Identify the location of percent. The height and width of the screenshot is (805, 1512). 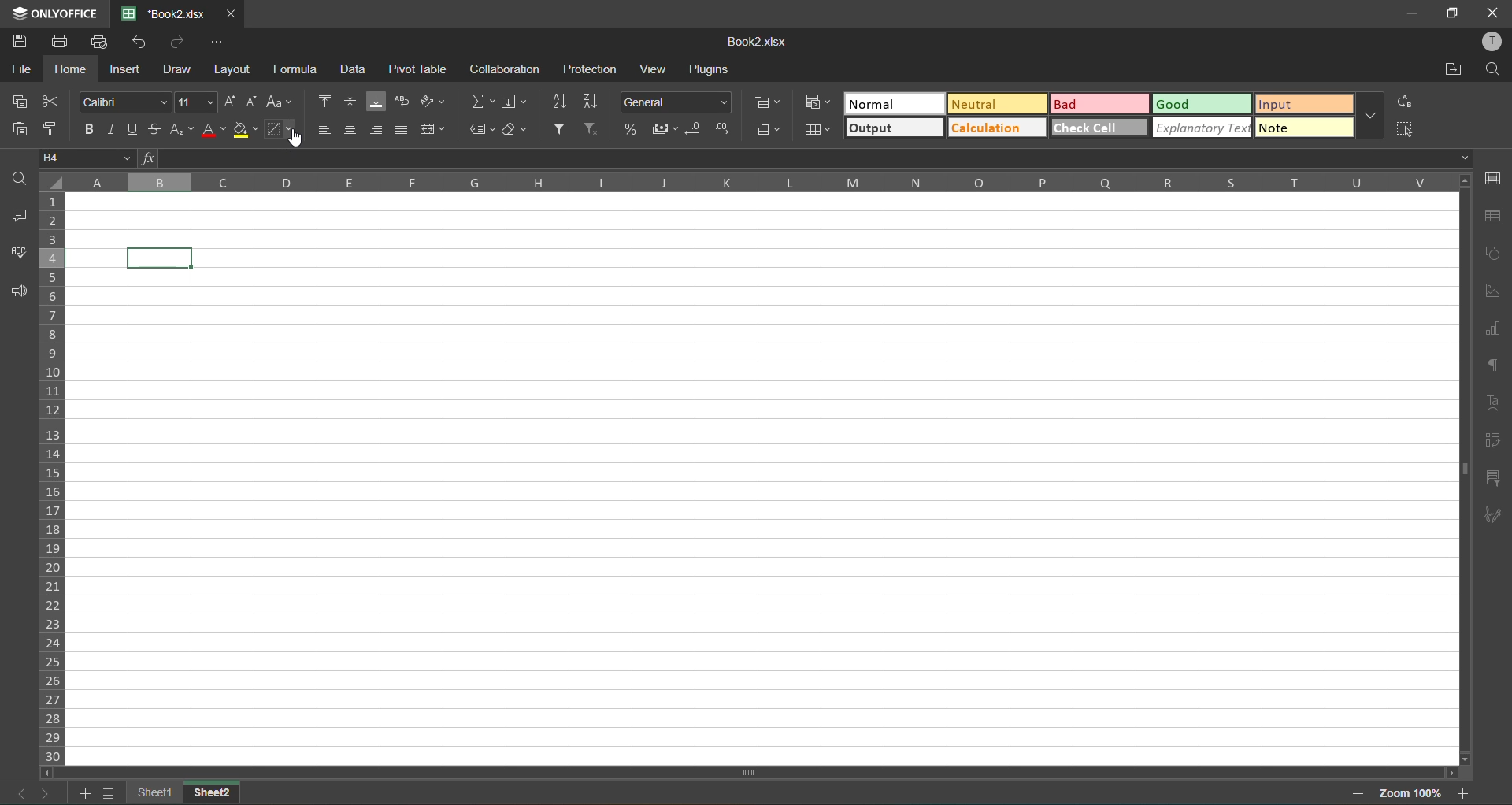
(629, 131).